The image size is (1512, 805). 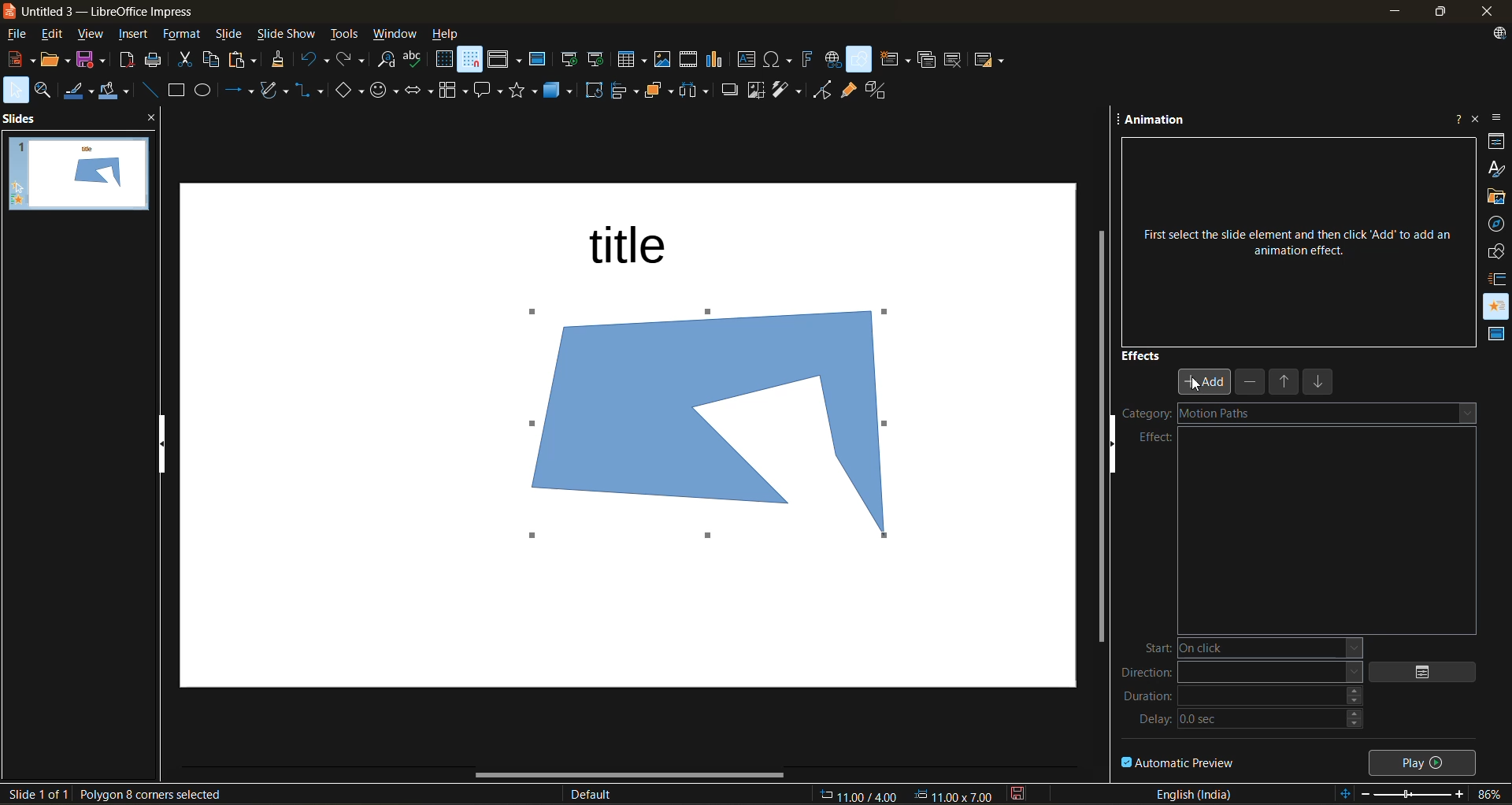 I want to click on shapes, so click(x=1494, y=249).